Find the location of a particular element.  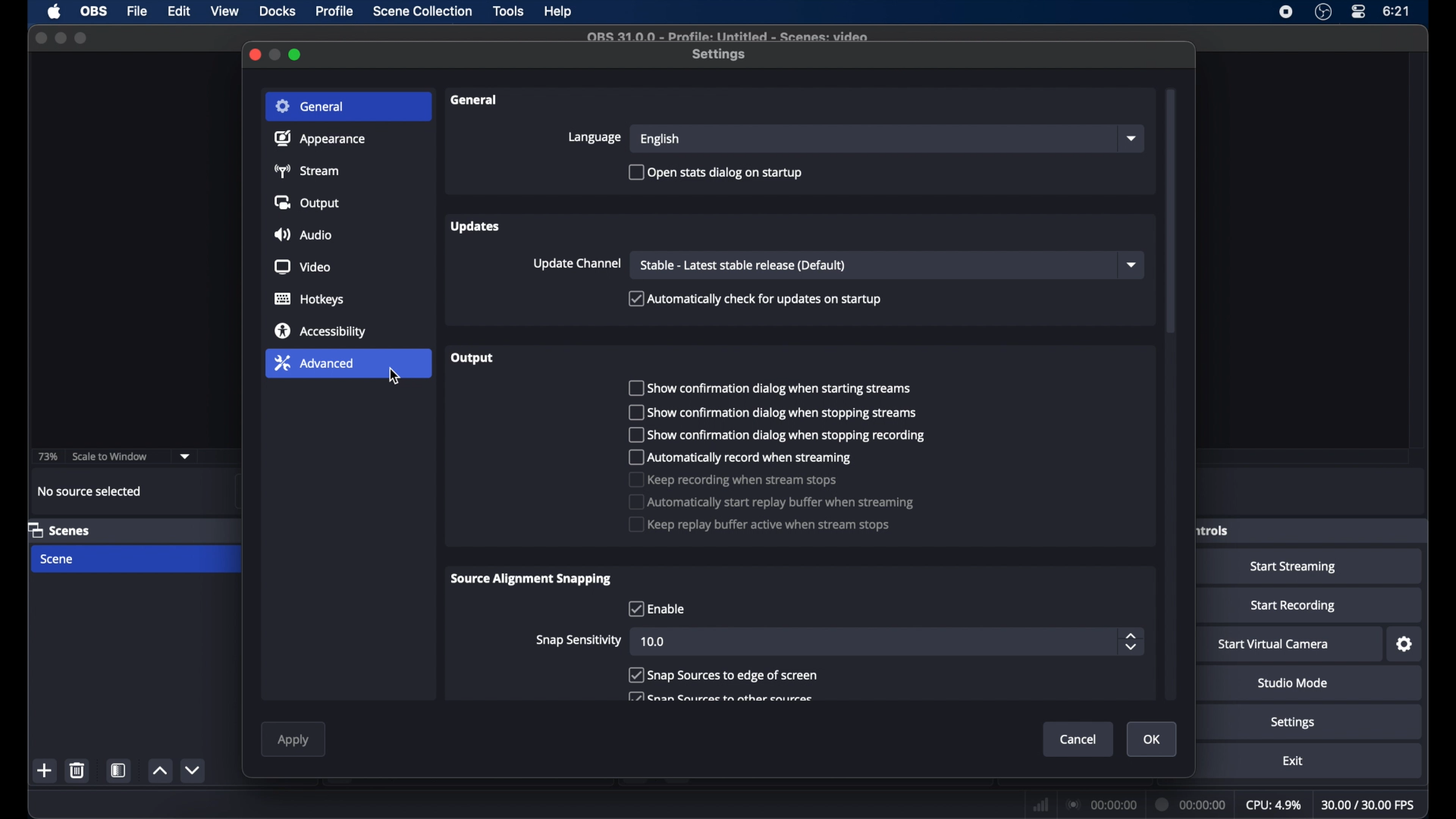

minimize is located at coordinates (276, 55).